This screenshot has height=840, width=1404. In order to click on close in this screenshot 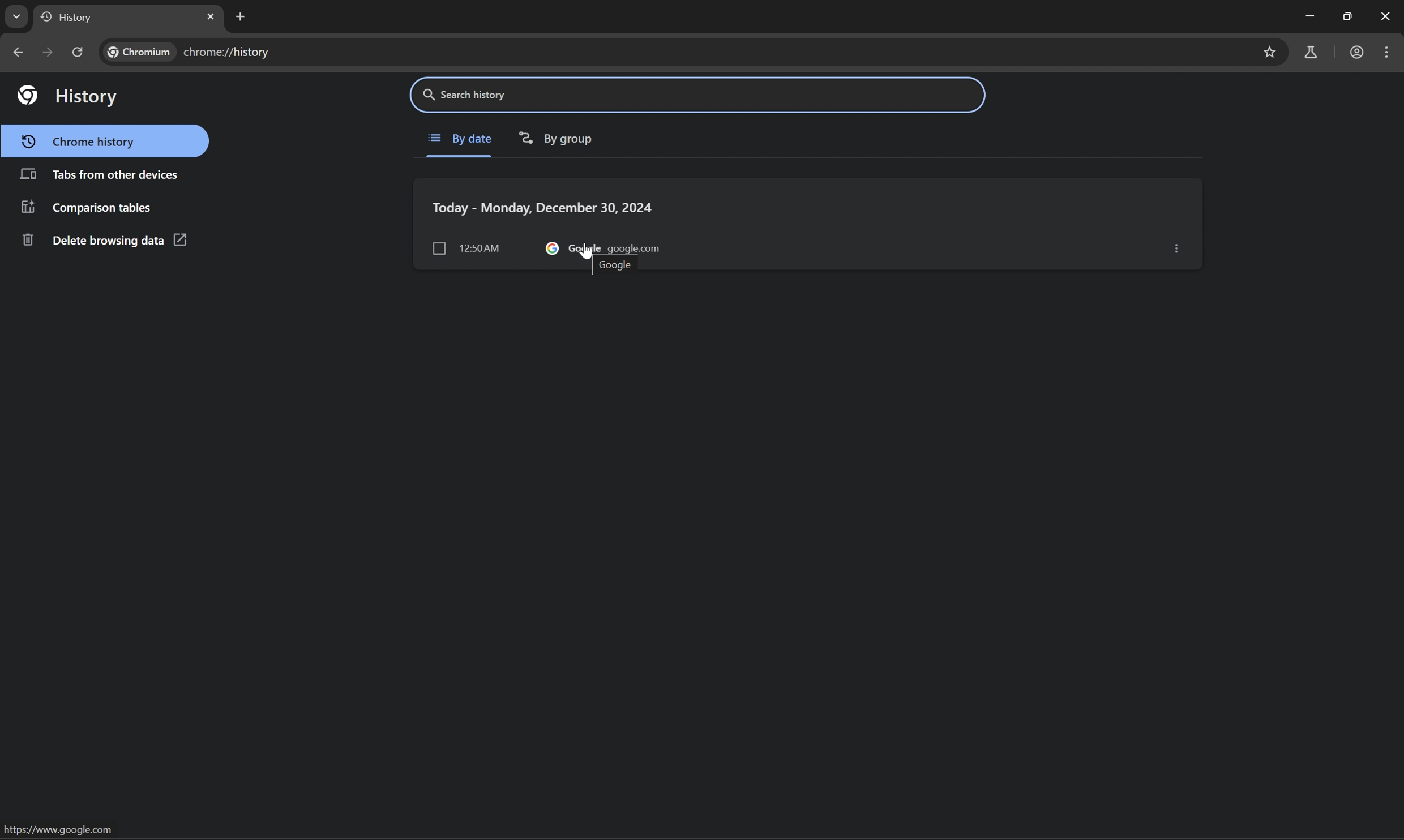, I will do `click(212, 18)`.